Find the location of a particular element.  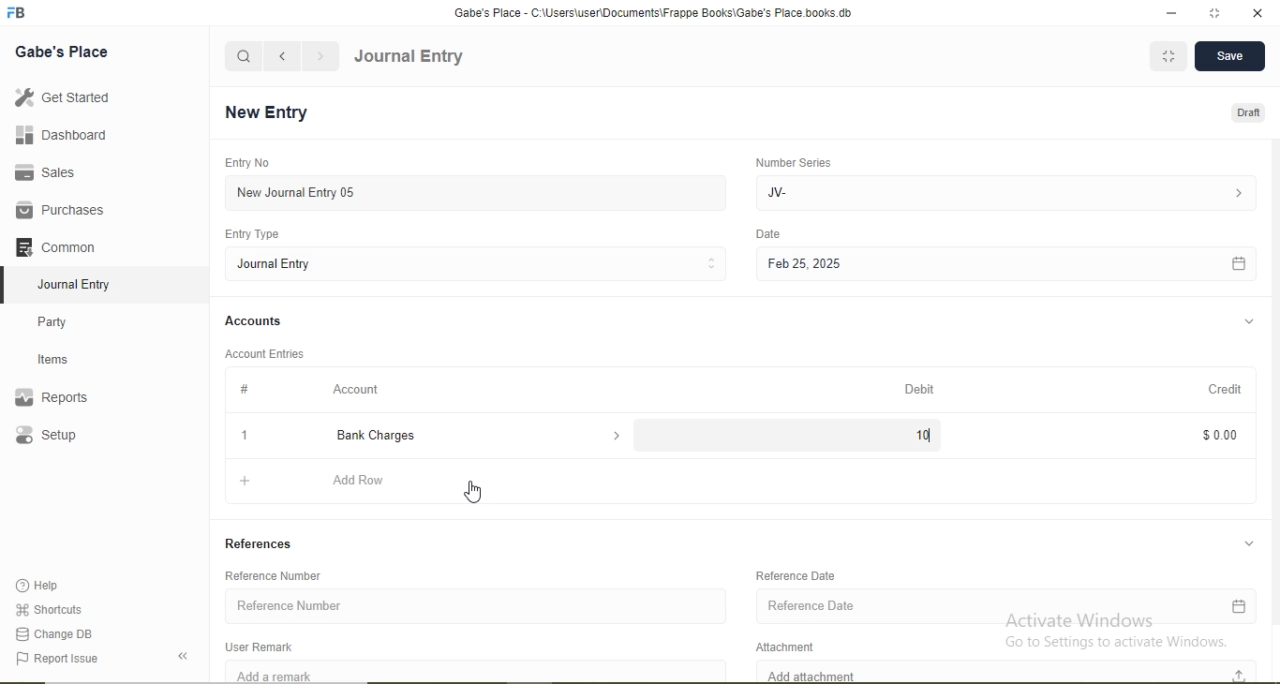

Journal Entry is located at coordinates (409, 57).